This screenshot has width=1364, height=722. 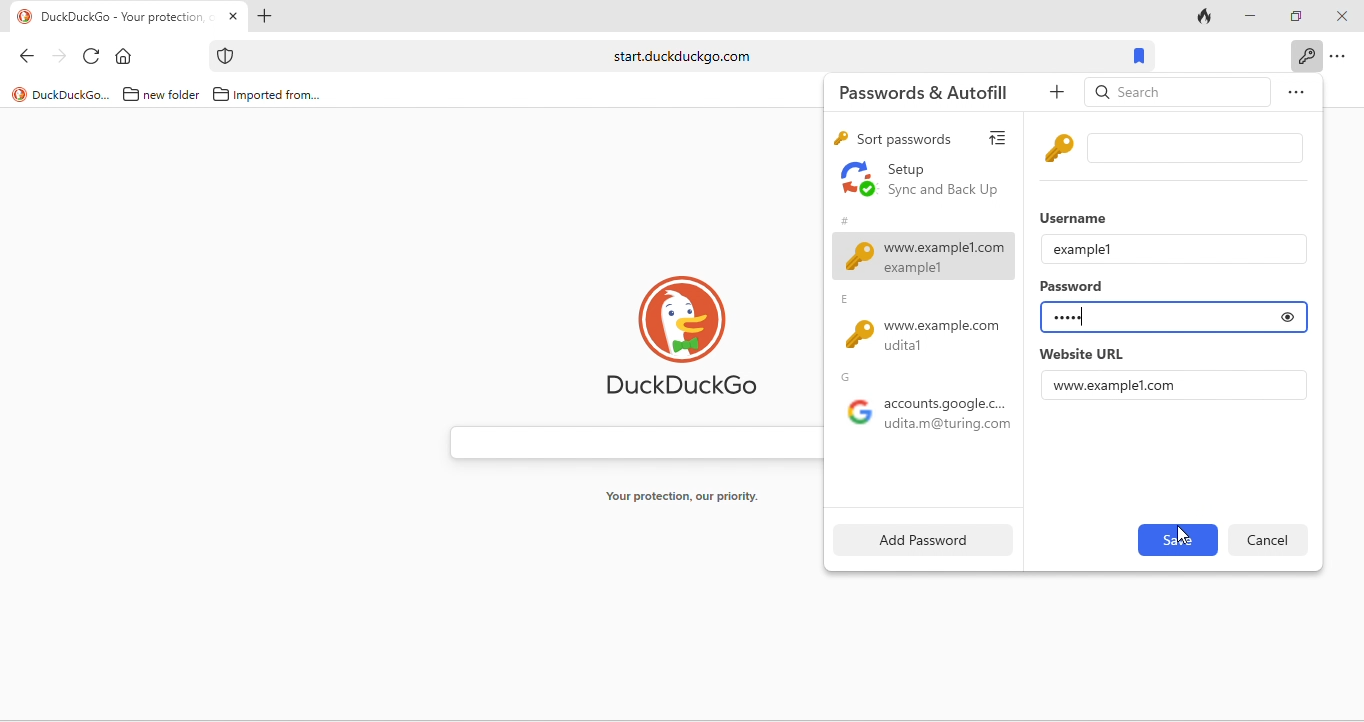 What do you see at coordinates (1206, 15) in the screenshot?
I see `track tab` at bounding box center [1206, 15].